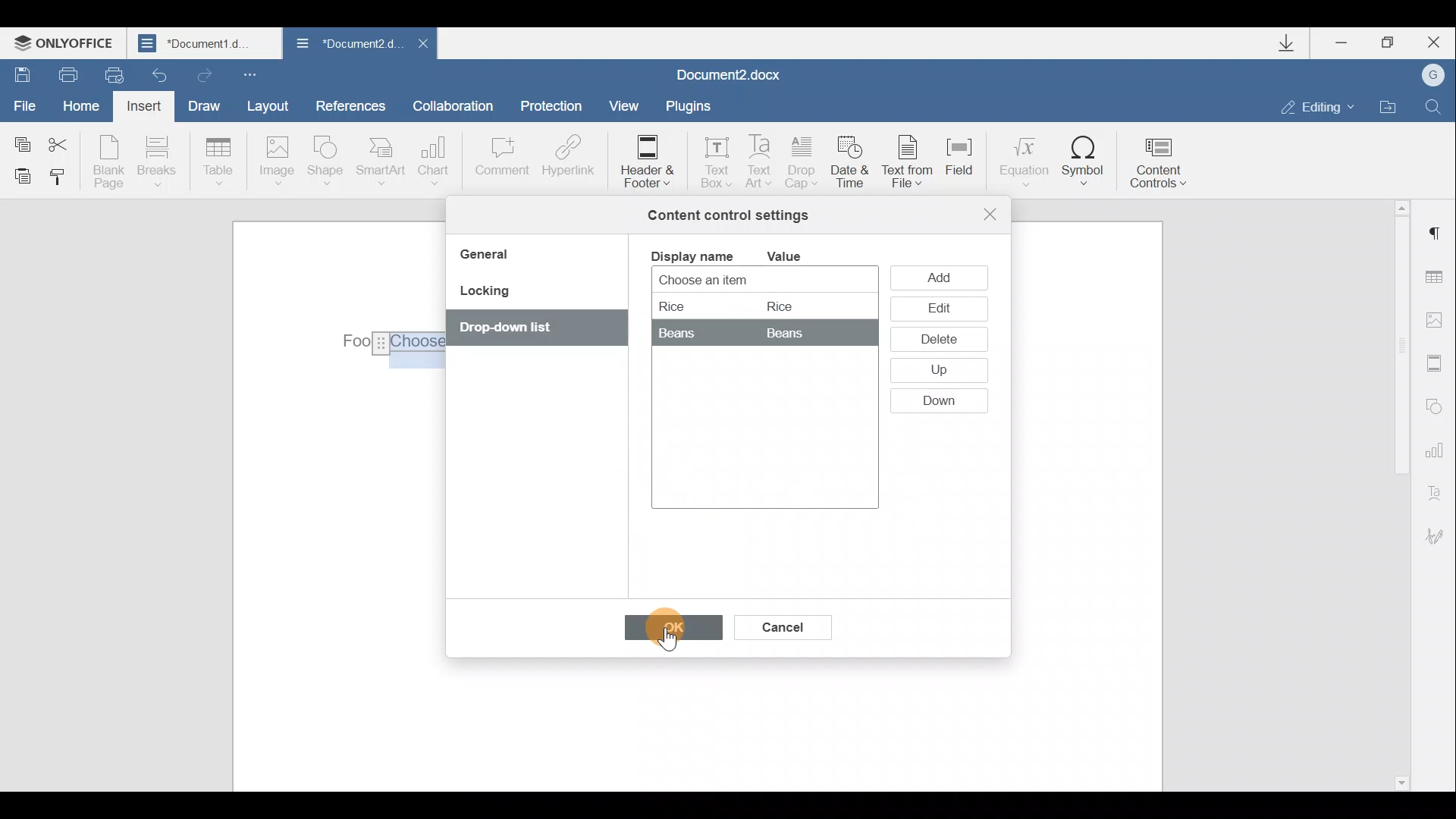  What do you see at coordinates (912, 163) in the screenshot?
I see `Text from file` at bounding box center [912, 163].